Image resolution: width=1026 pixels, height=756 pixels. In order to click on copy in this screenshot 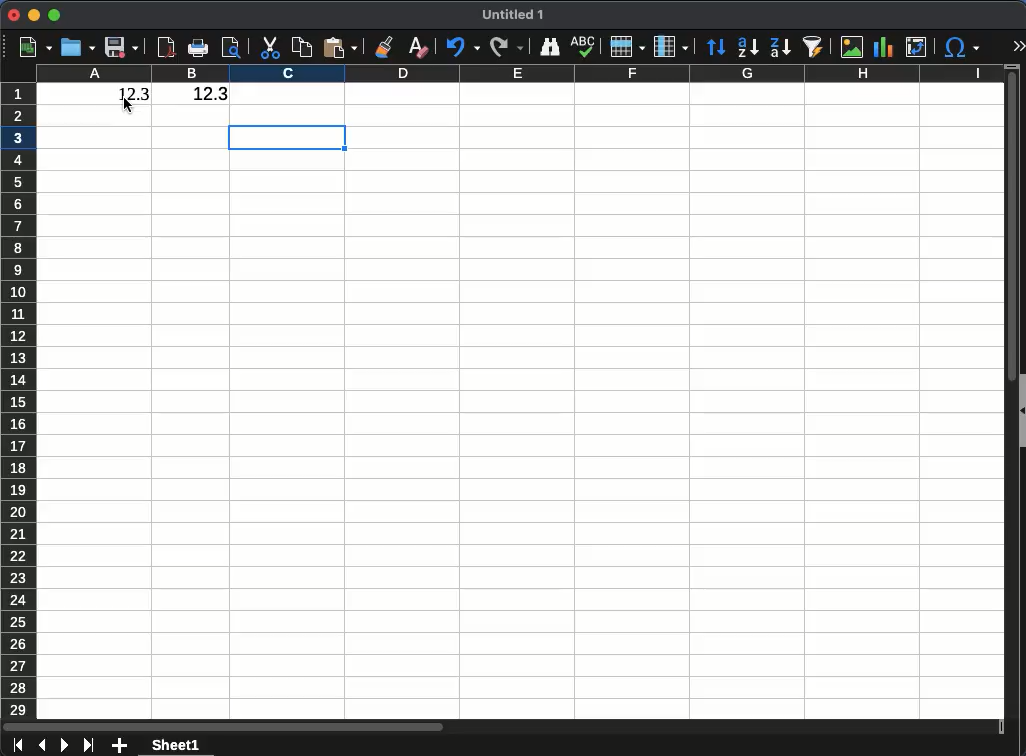, I will do `click(304, 47)`.